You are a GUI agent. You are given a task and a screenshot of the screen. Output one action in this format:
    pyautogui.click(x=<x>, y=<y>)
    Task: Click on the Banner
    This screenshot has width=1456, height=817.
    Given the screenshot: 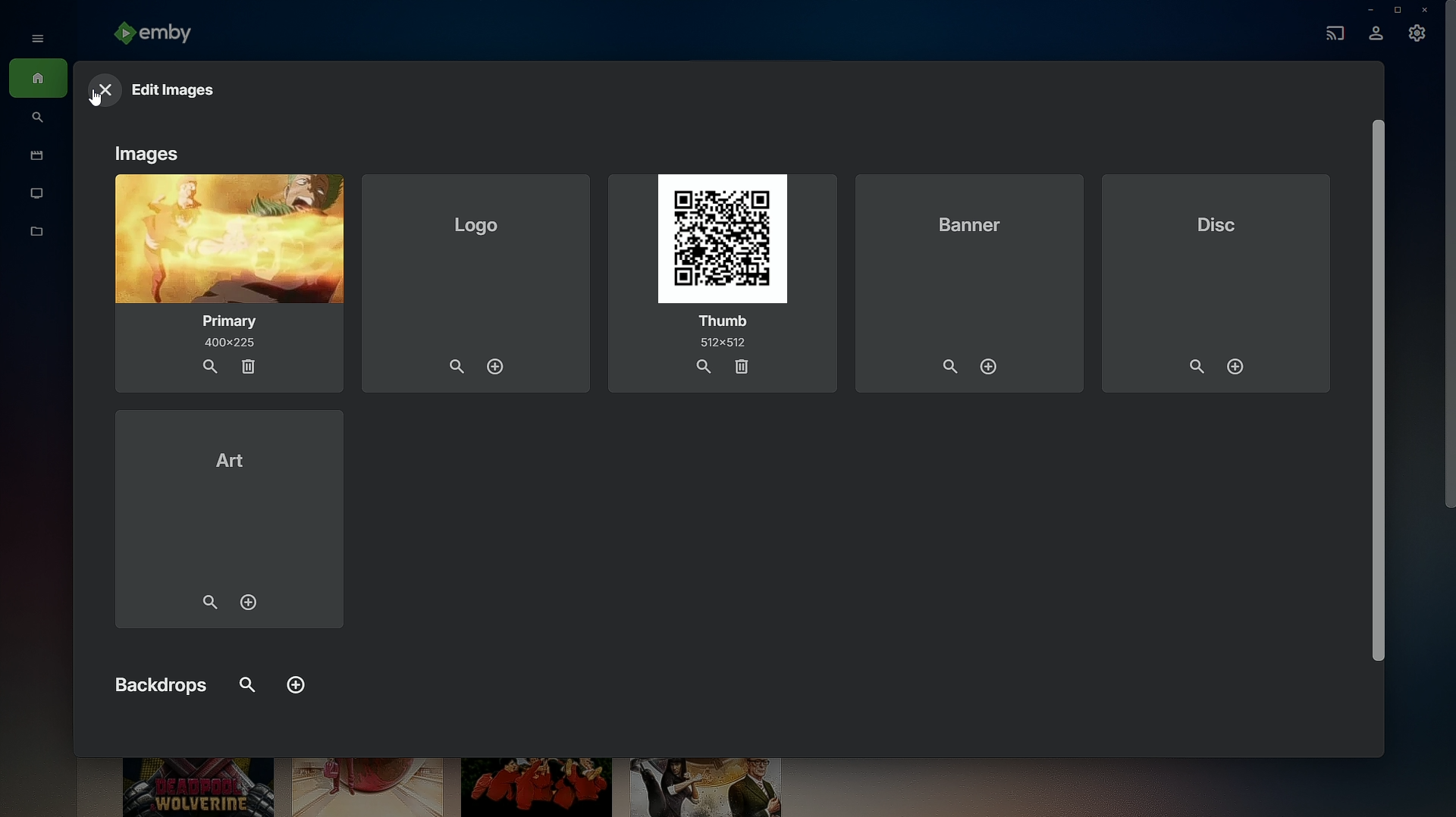 What is the action you would take?
    pyautogui.click(x=971, y=283)
    